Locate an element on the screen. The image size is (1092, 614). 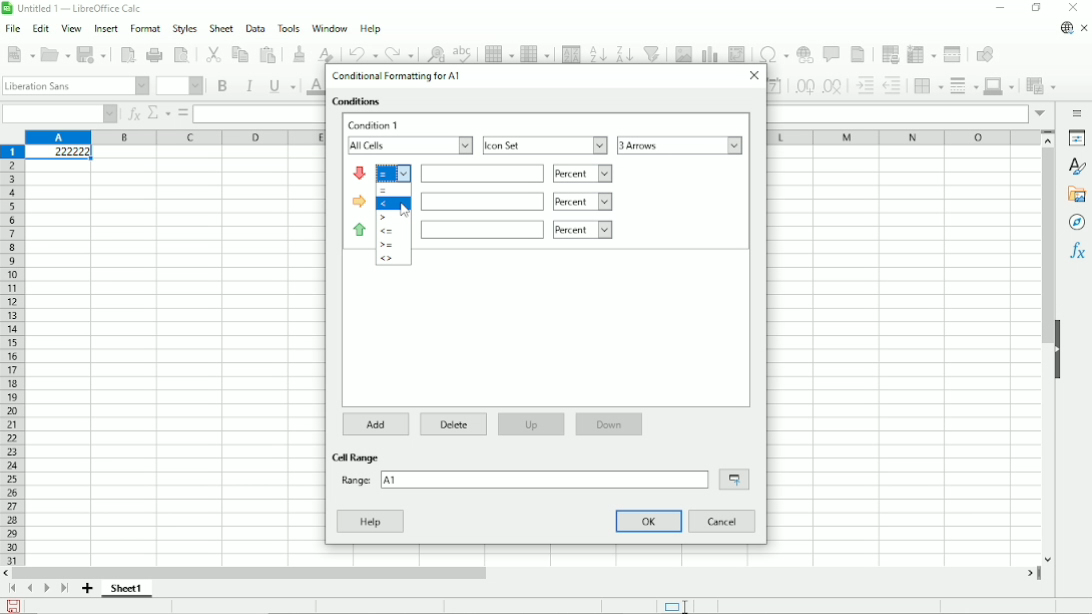
Insert or edit pivot table is located at coordinates (736, 52).